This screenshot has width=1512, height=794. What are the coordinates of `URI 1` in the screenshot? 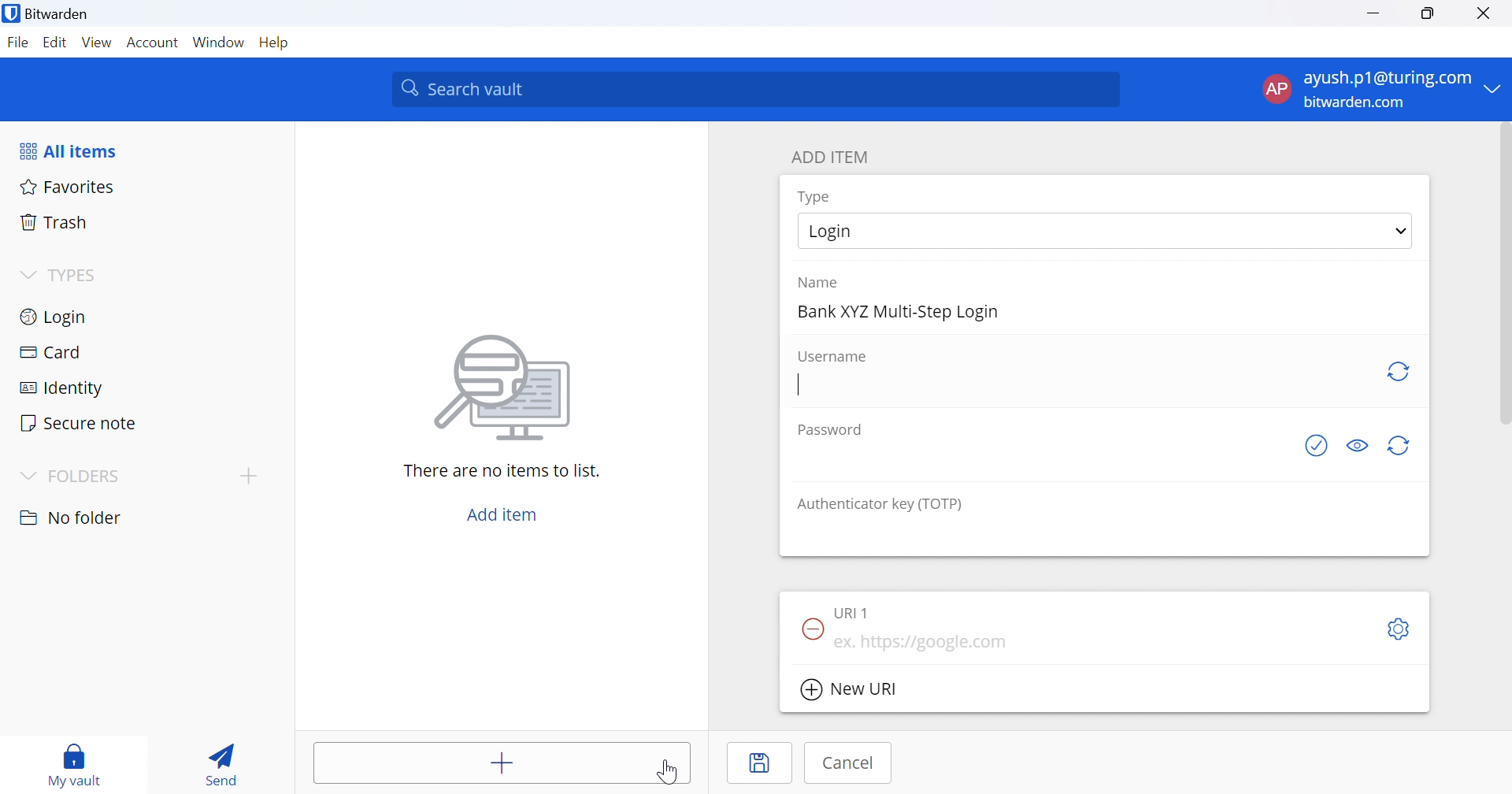 It's located at (854, 610).